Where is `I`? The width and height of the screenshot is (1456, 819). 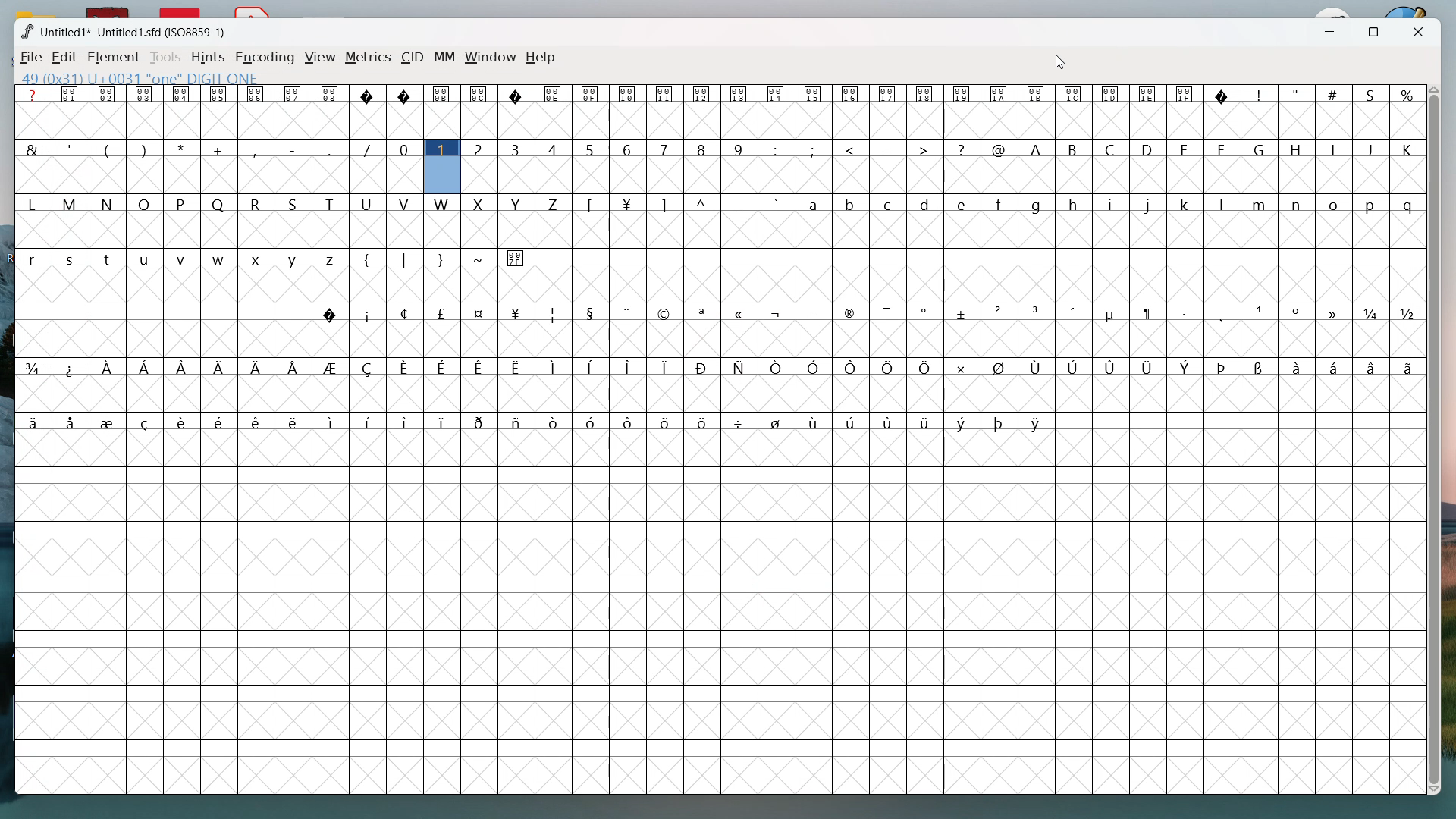
I is located at coordinates (1335, 149).